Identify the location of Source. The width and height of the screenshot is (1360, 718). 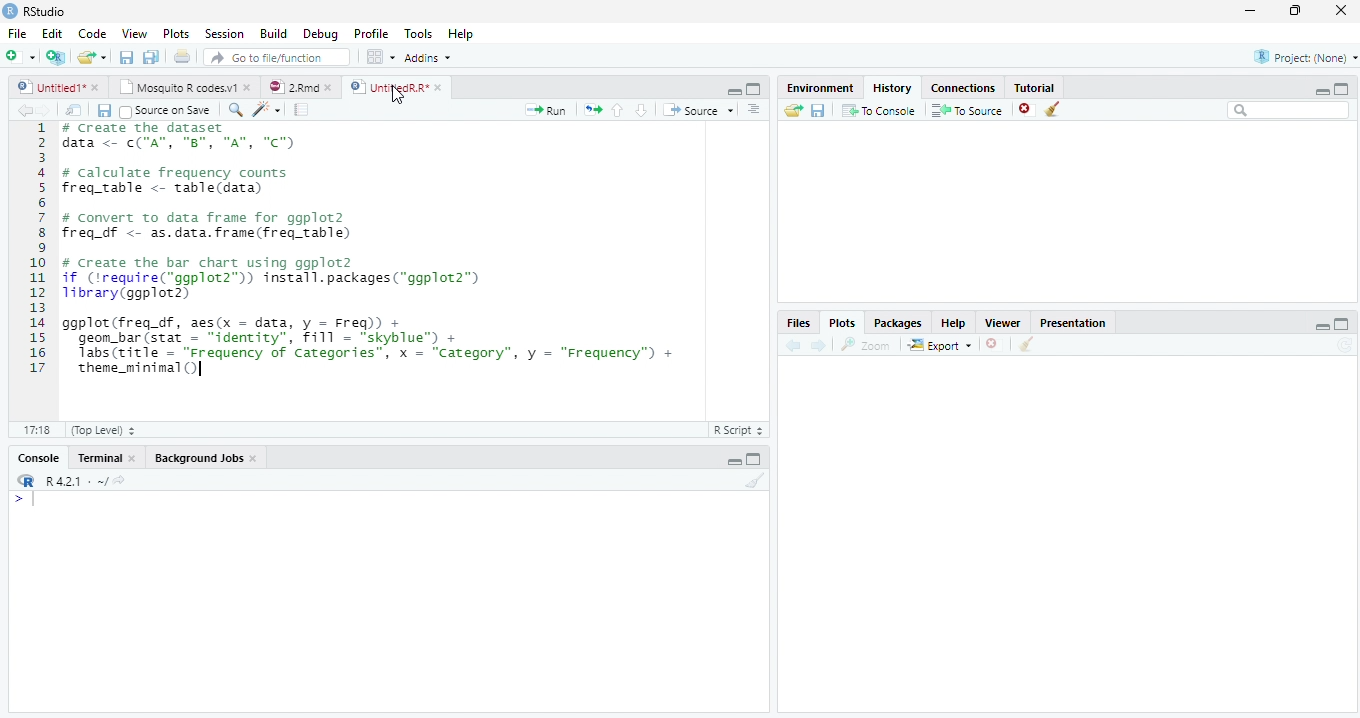
(701, 111).